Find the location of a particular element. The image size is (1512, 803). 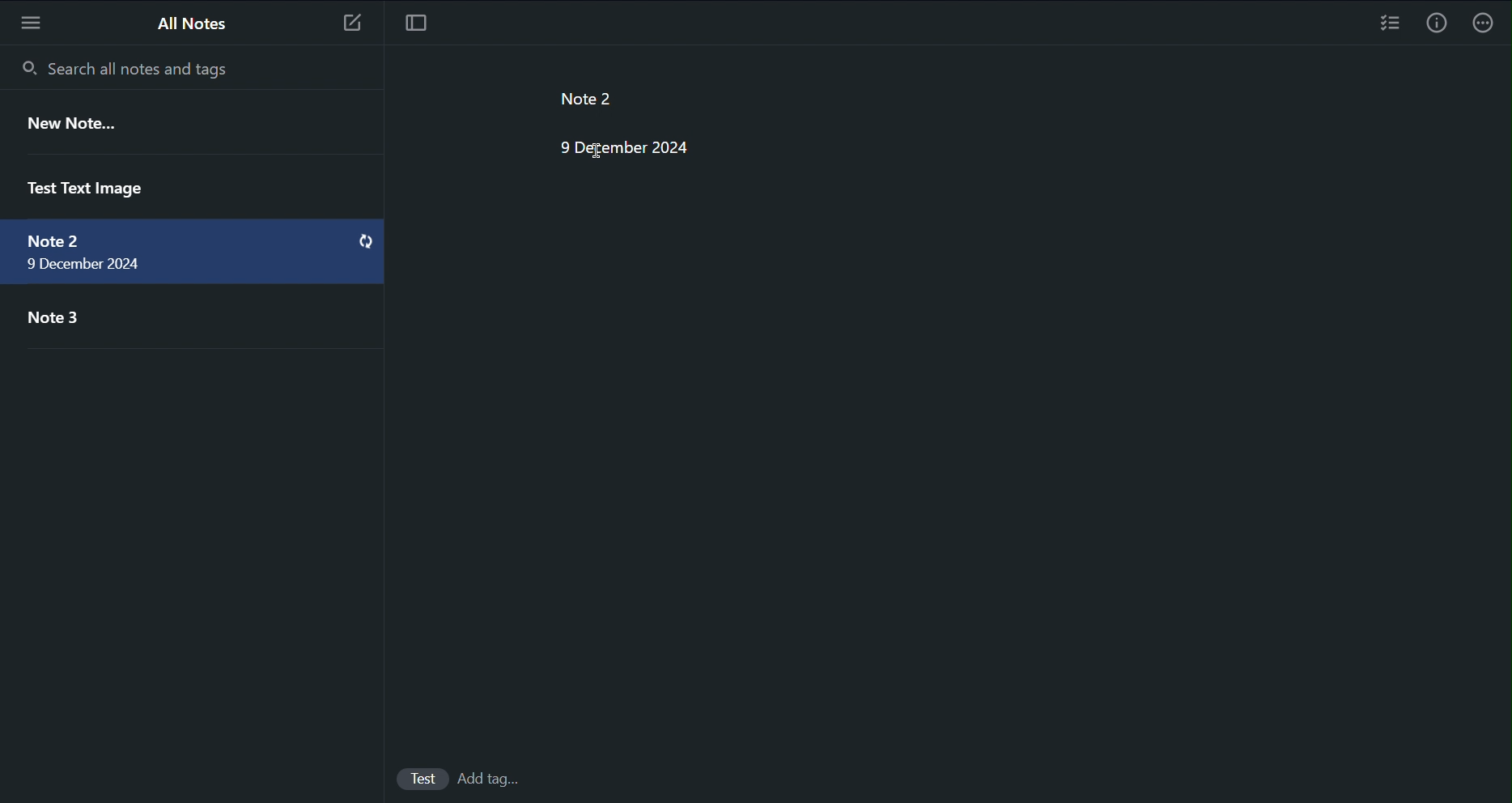

cursor is located at coordinates (600, 151).